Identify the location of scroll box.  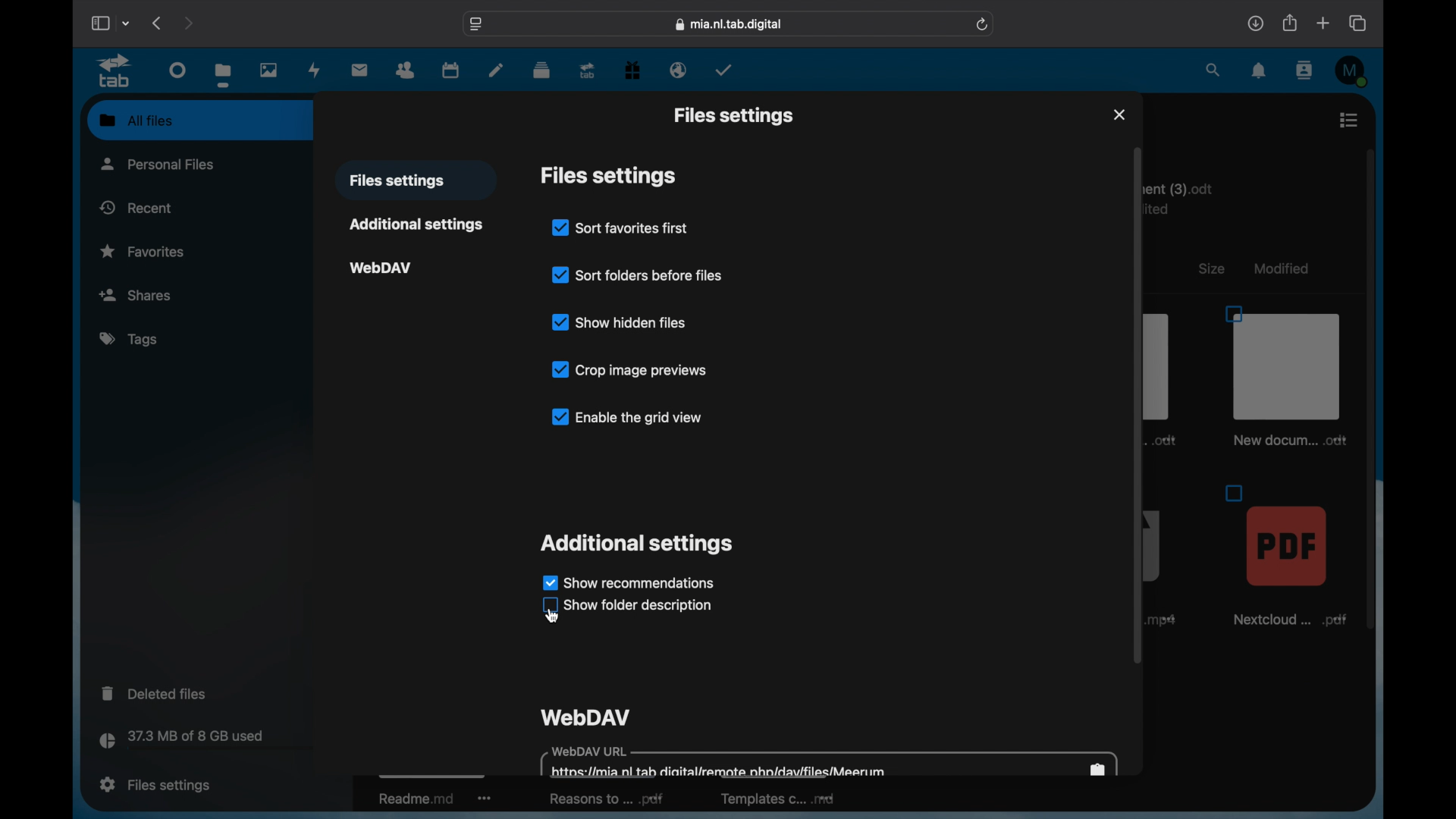
(1137, 404).